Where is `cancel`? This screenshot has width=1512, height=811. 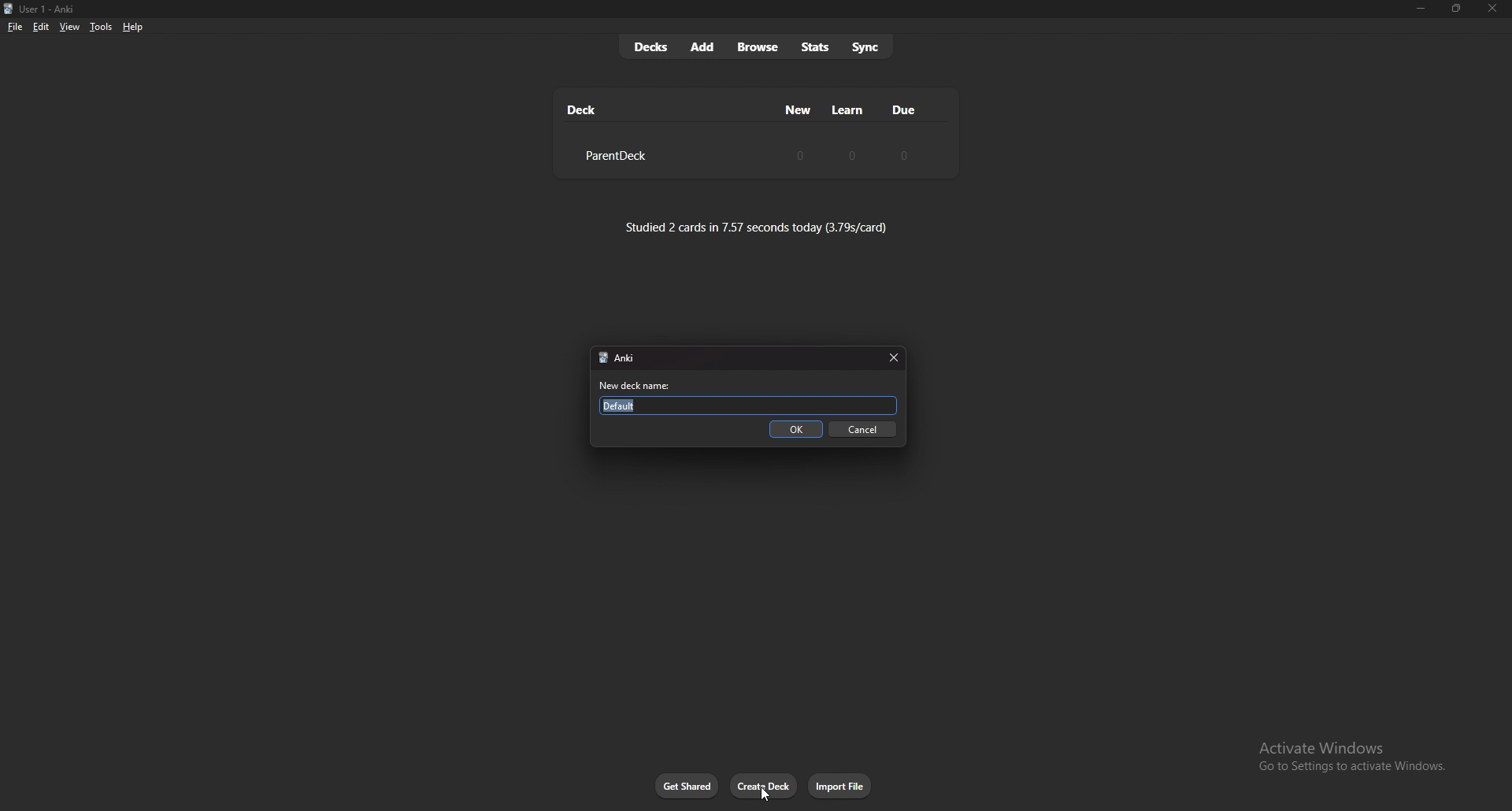 cancel is located at coordinates (864, 430).